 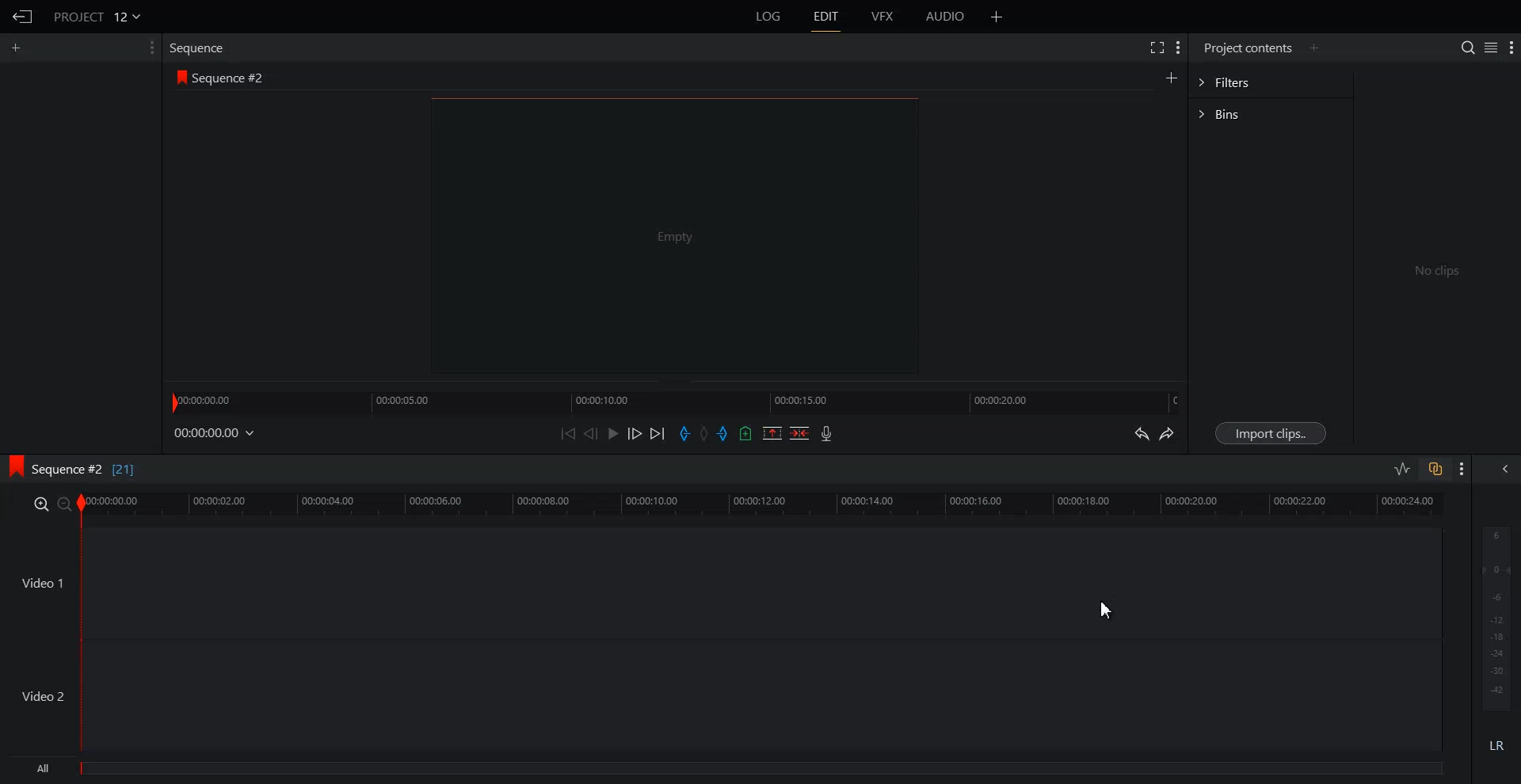 What do you see at coordinates (1271, 83) in the screenshot?
I see `Filters` at bounding box center [1271, 83].